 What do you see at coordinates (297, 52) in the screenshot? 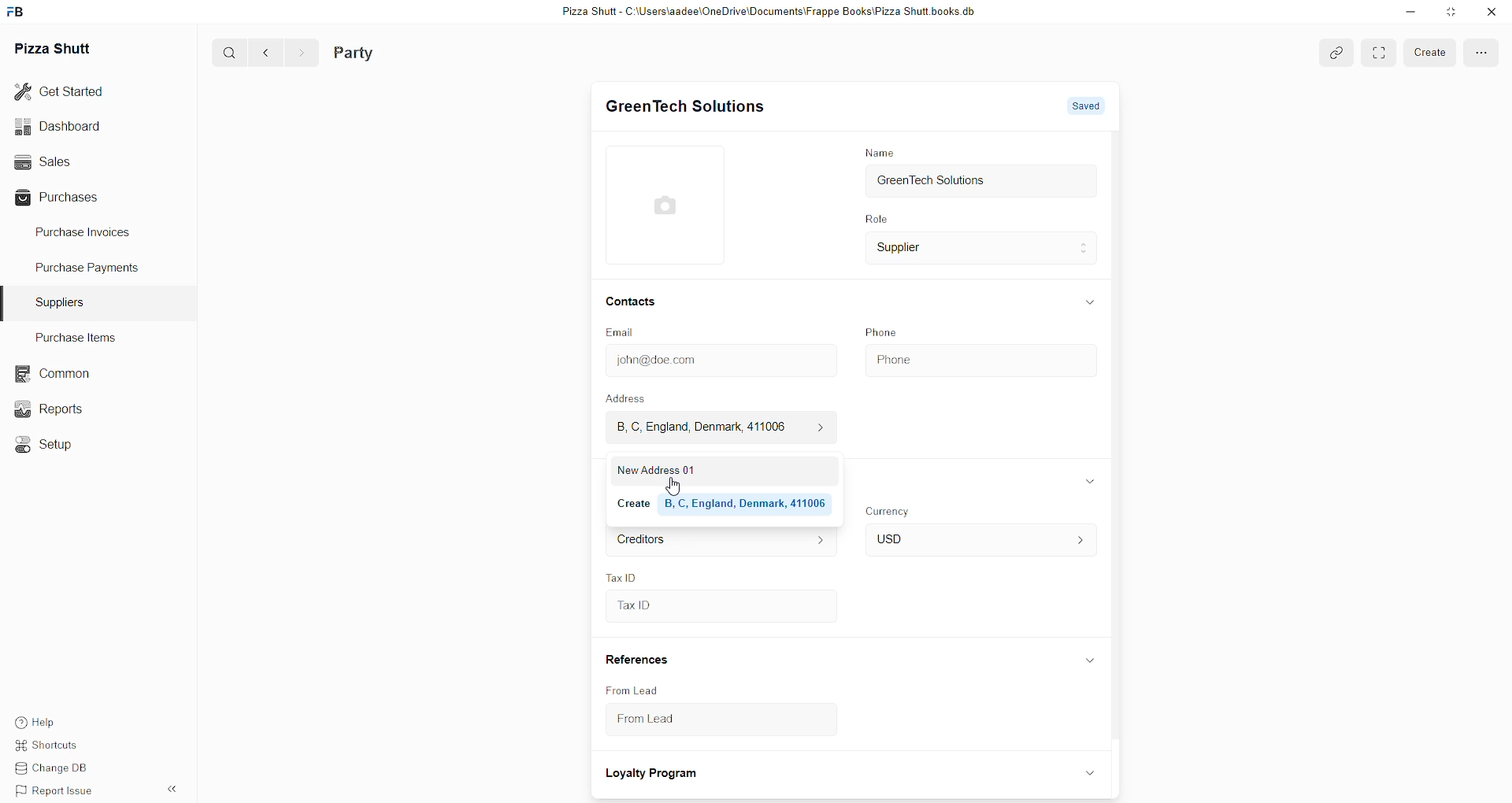
I see `next page` at bounding box center [297, 52].